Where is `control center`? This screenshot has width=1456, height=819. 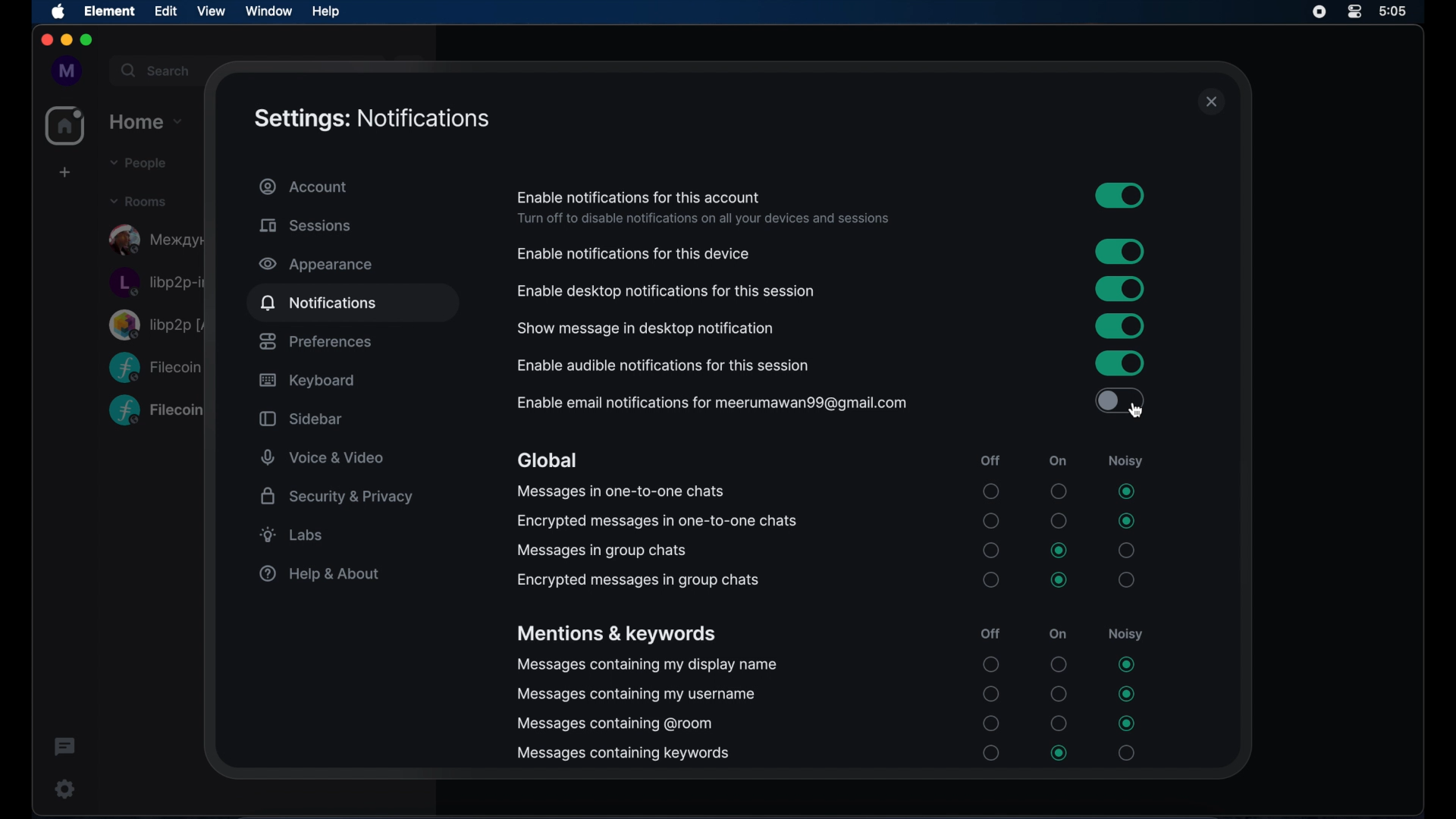
control center is located at coordinates (1355, 12).